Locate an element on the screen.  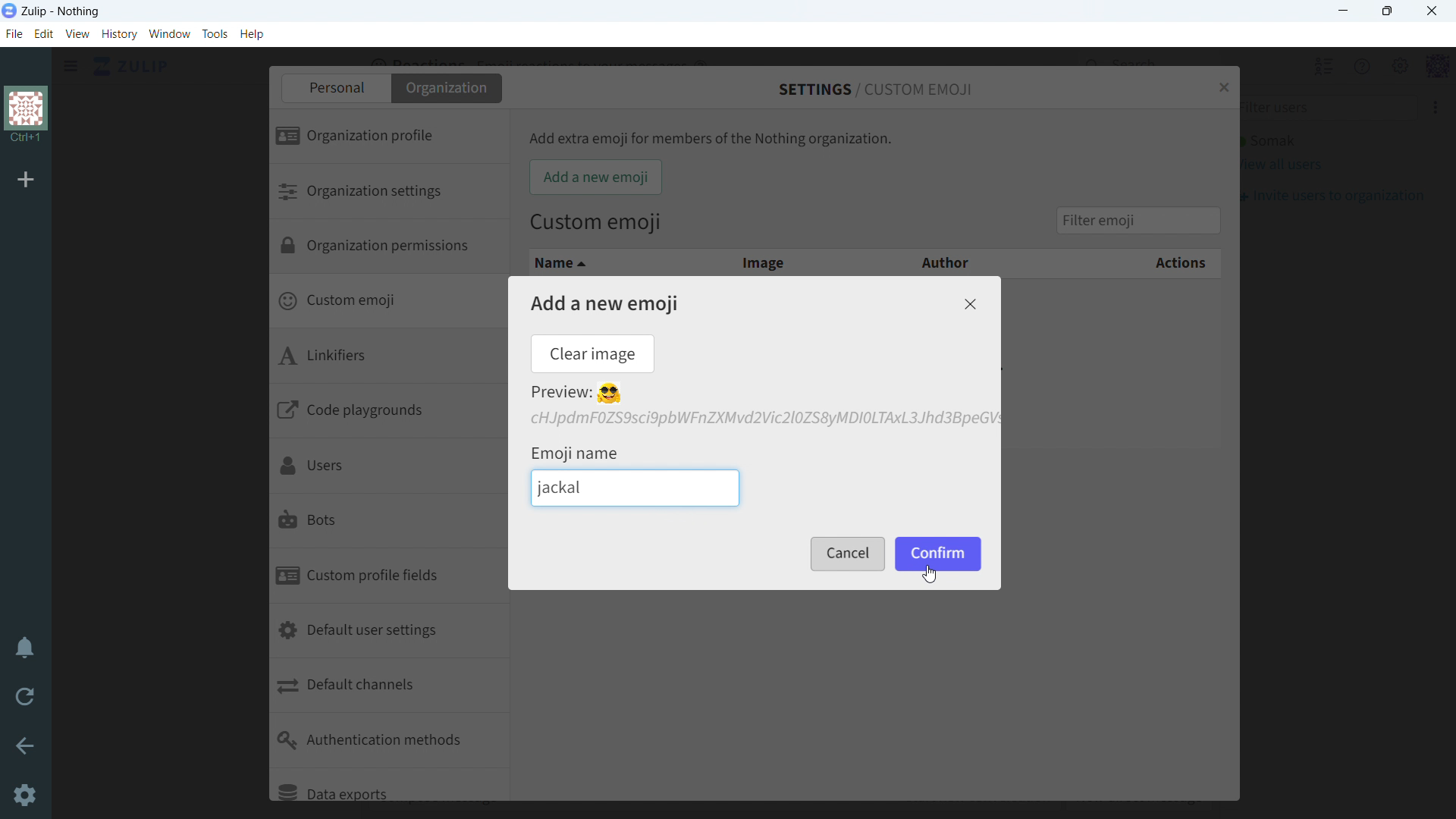
close is located at coordinates (1222, 86).